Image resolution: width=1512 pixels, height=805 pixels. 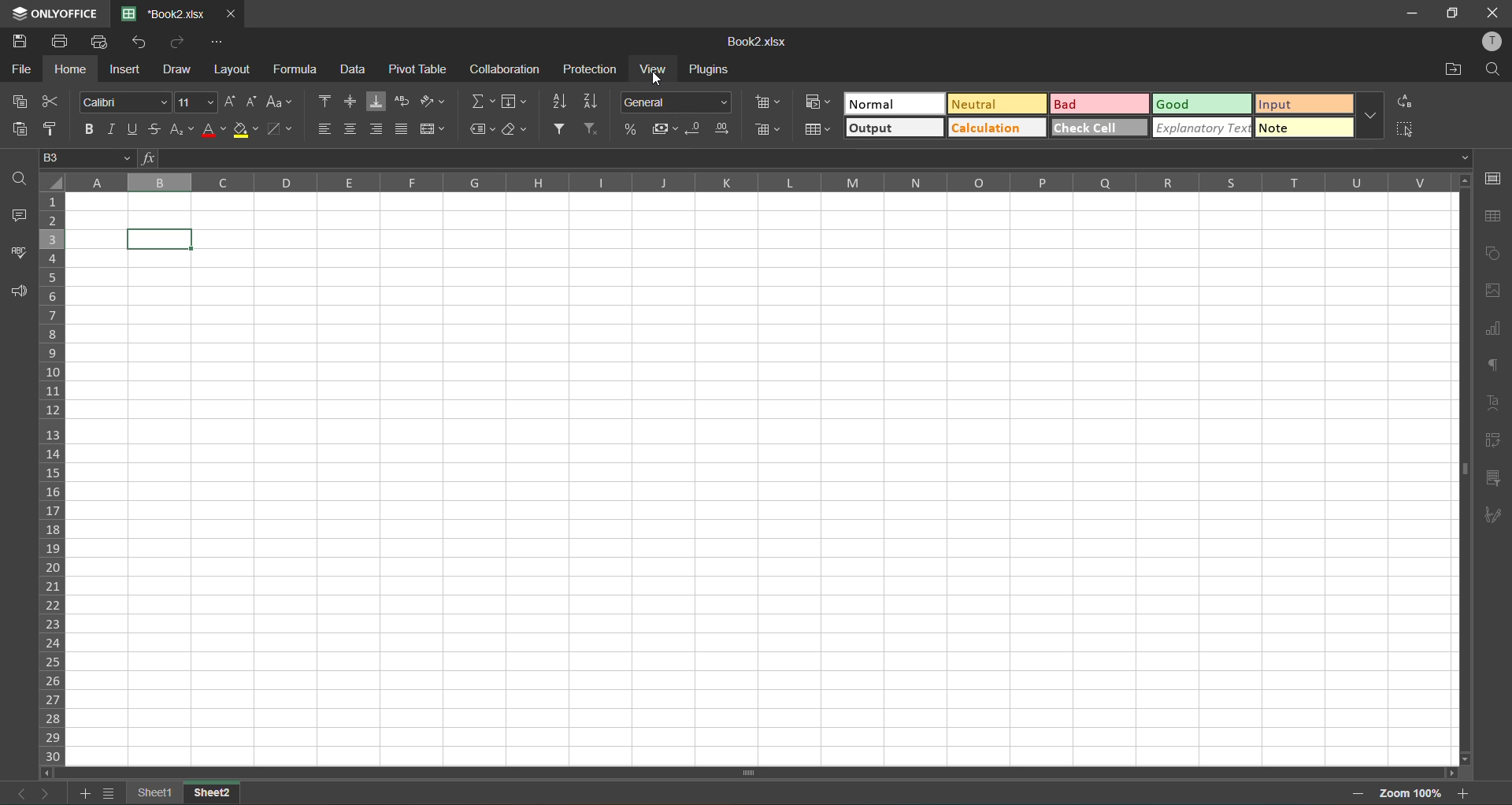 I want to click on strikethrough, so click(x=157, y=129).